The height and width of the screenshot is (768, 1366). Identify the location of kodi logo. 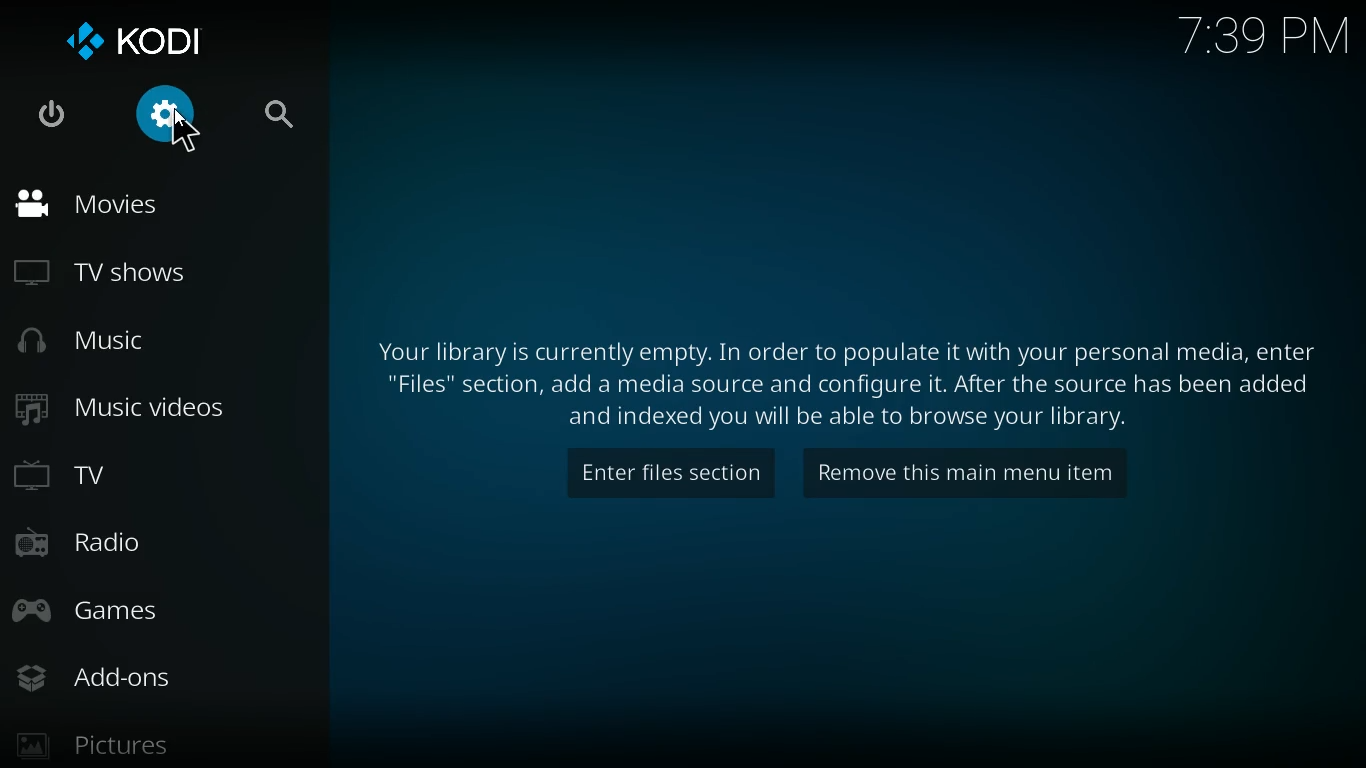
(145, 37).